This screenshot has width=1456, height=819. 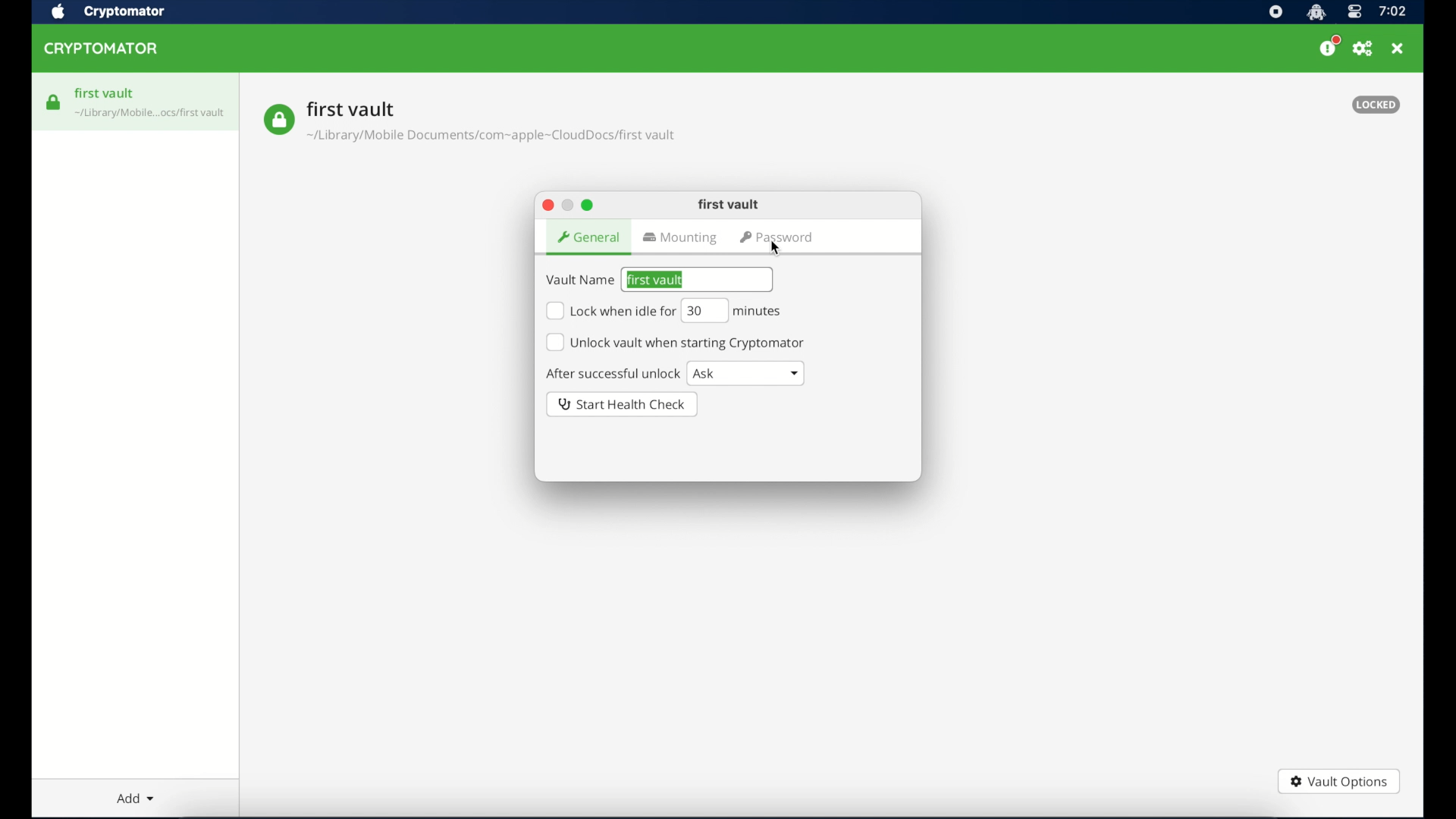 What do you see at coordinates (57, 12) in the screenshot?
I see `apple icon` at bounding box center [57, 12].